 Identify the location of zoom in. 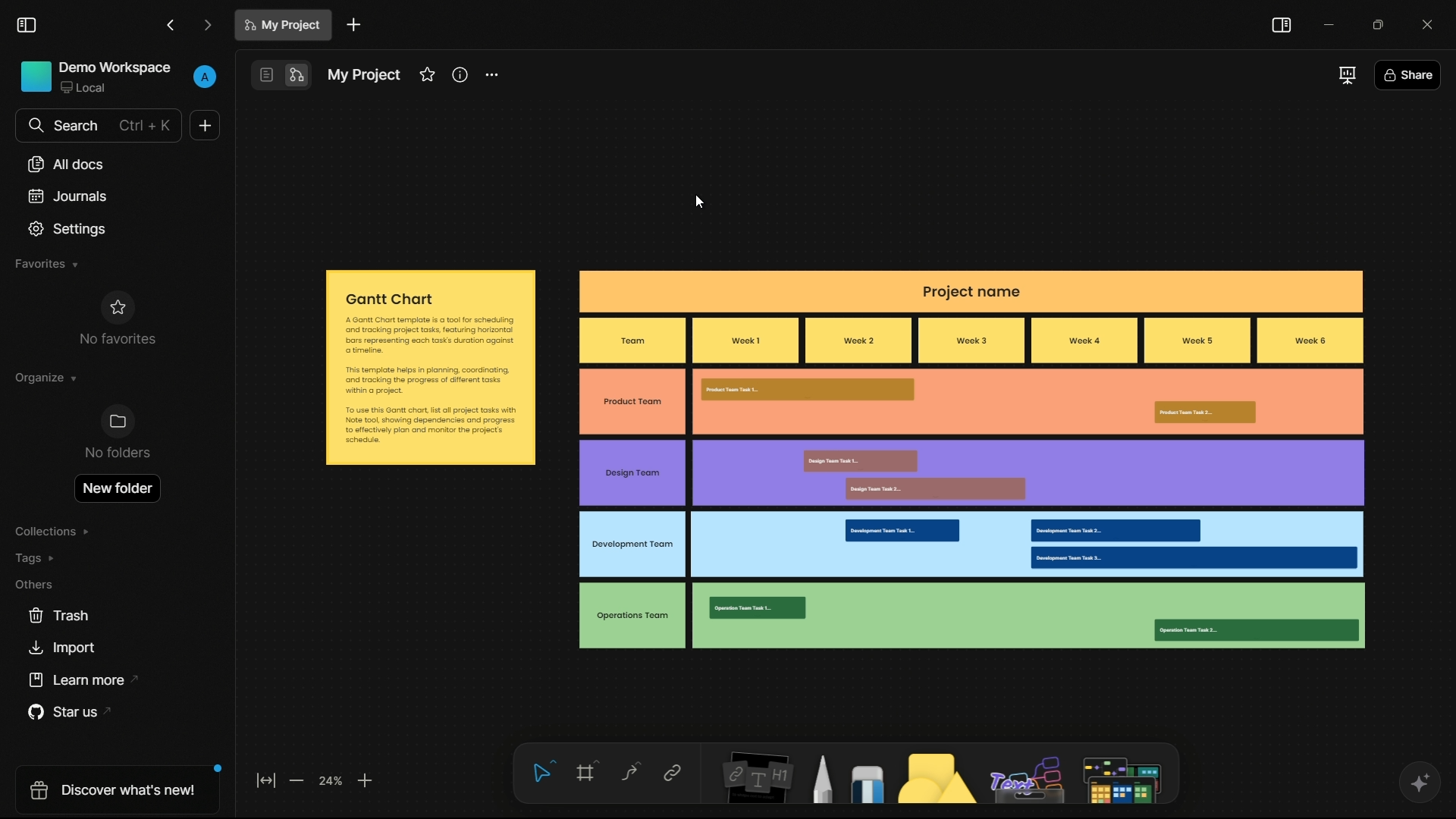
(366, 782).